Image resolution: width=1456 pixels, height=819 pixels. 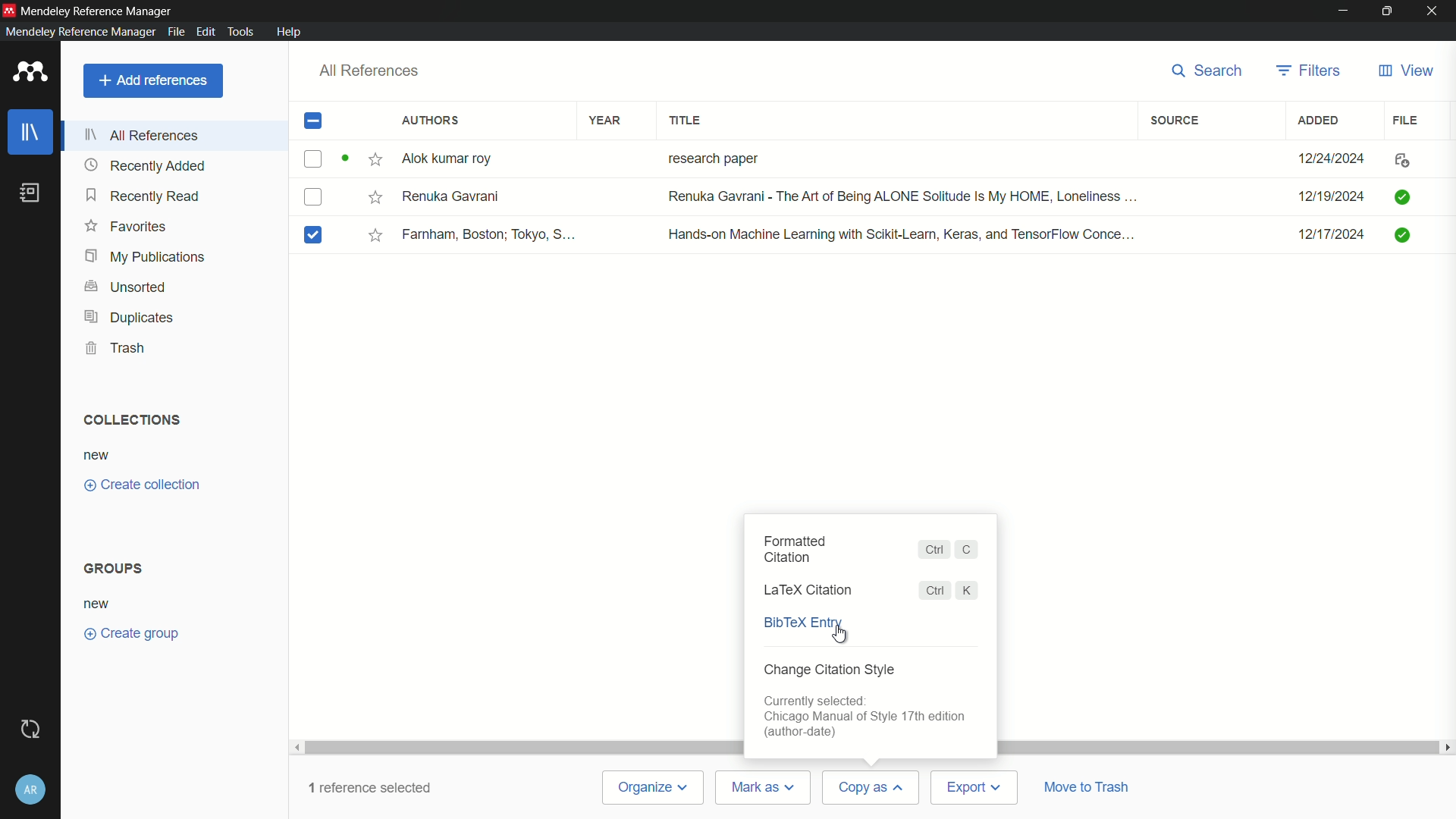 I want to click on trash, so click(x=117, y=347).